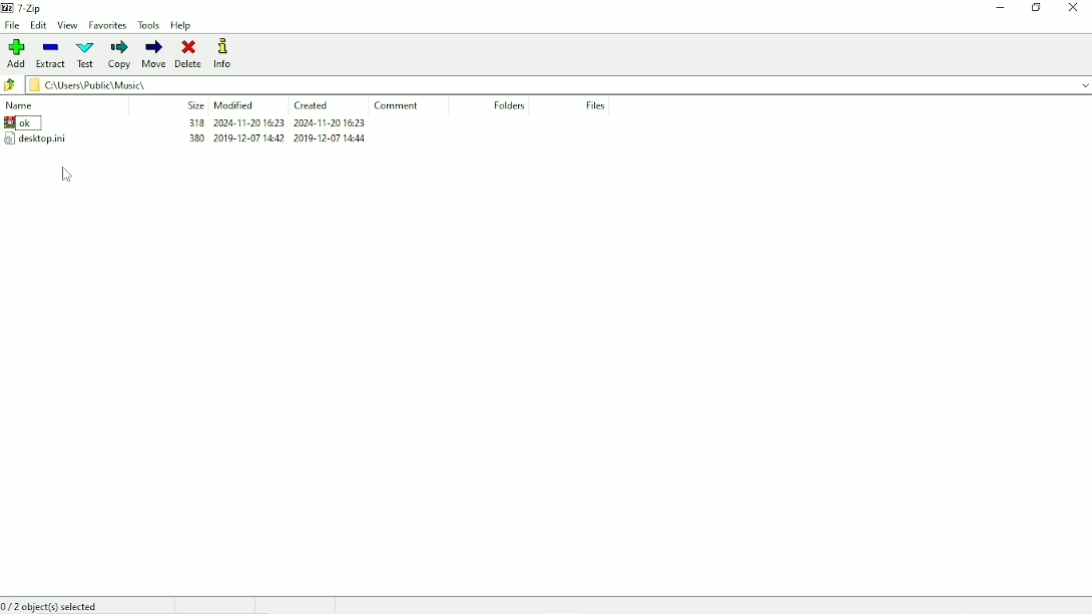  I want to click on drop down, so click(1078, 84).